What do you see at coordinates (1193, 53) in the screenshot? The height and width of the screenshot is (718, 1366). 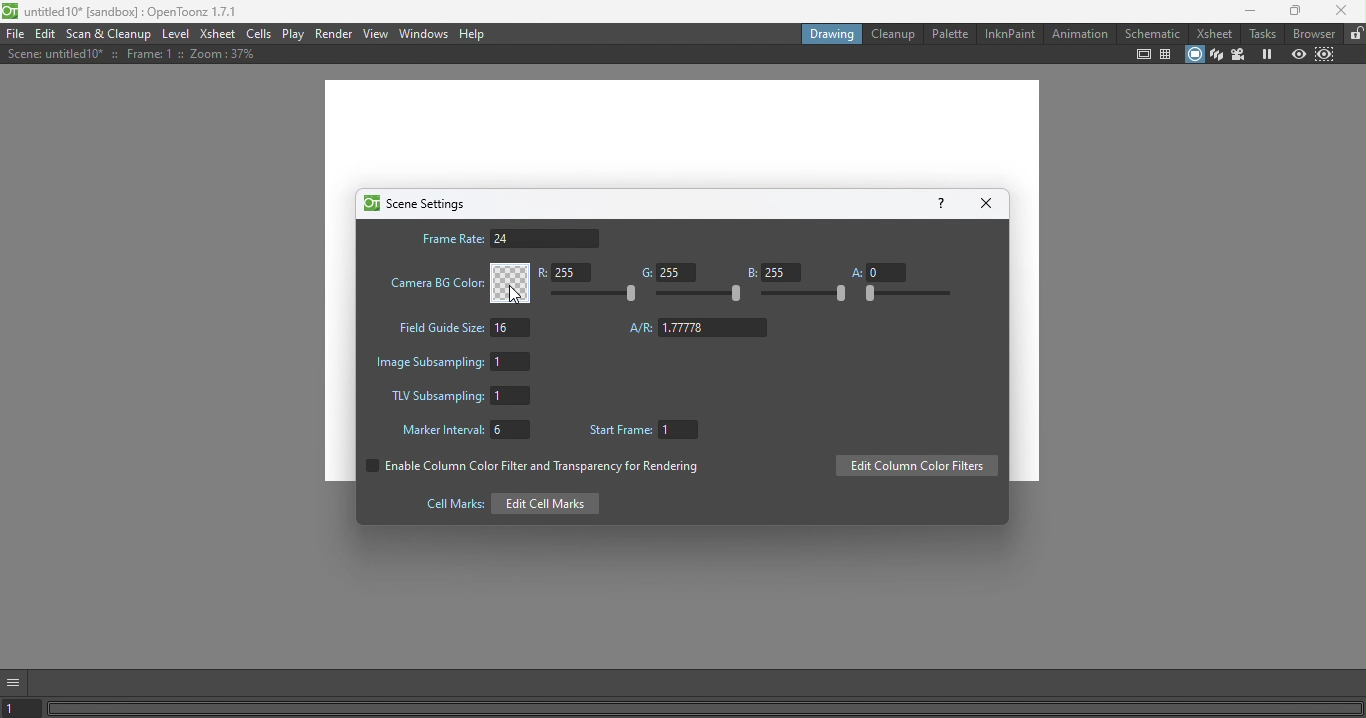 I see `Camera stand view` at bounding box center [1193, 53].